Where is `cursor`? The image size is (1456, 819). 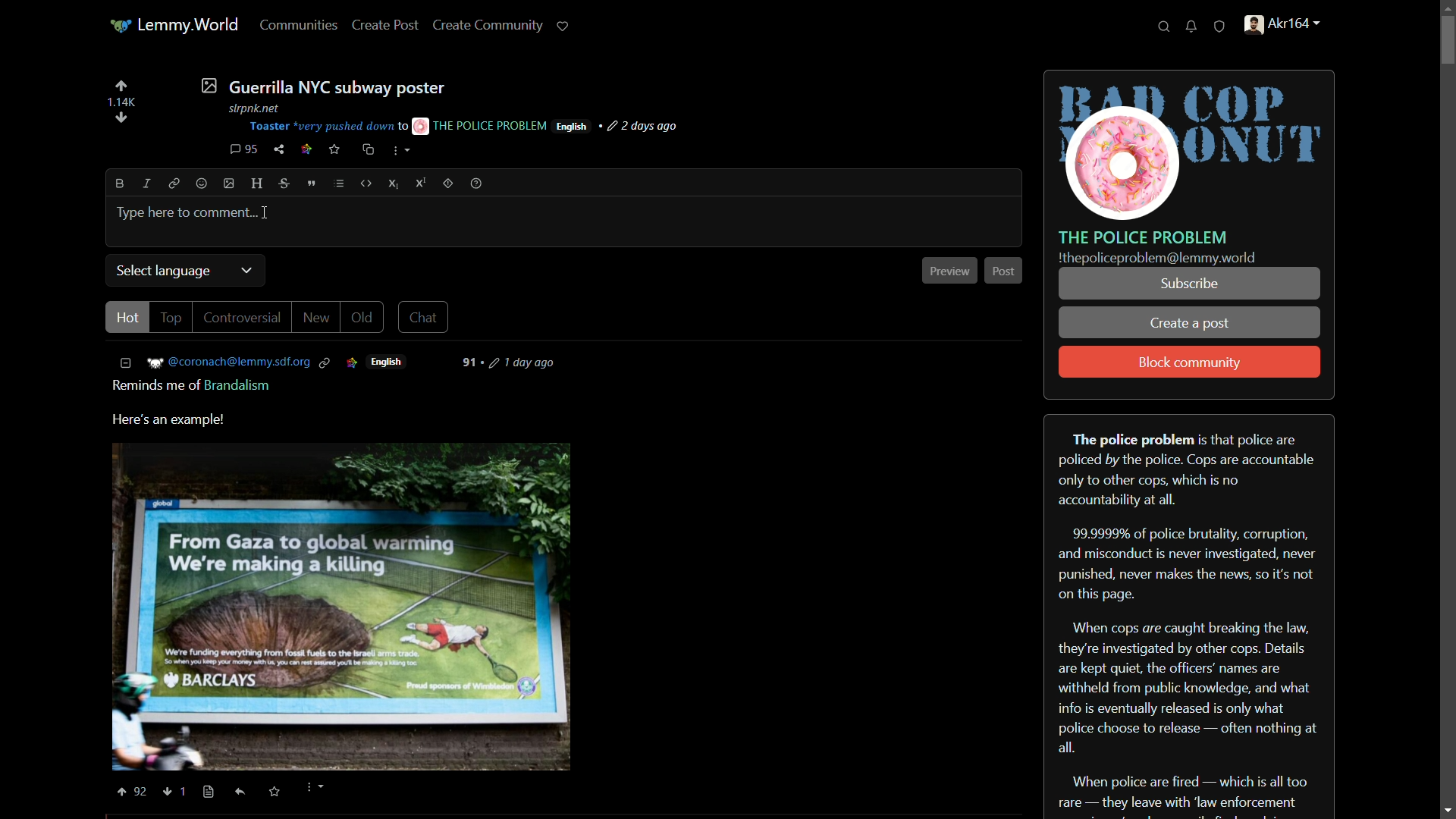
cursor is located at coordinates (268, 215).